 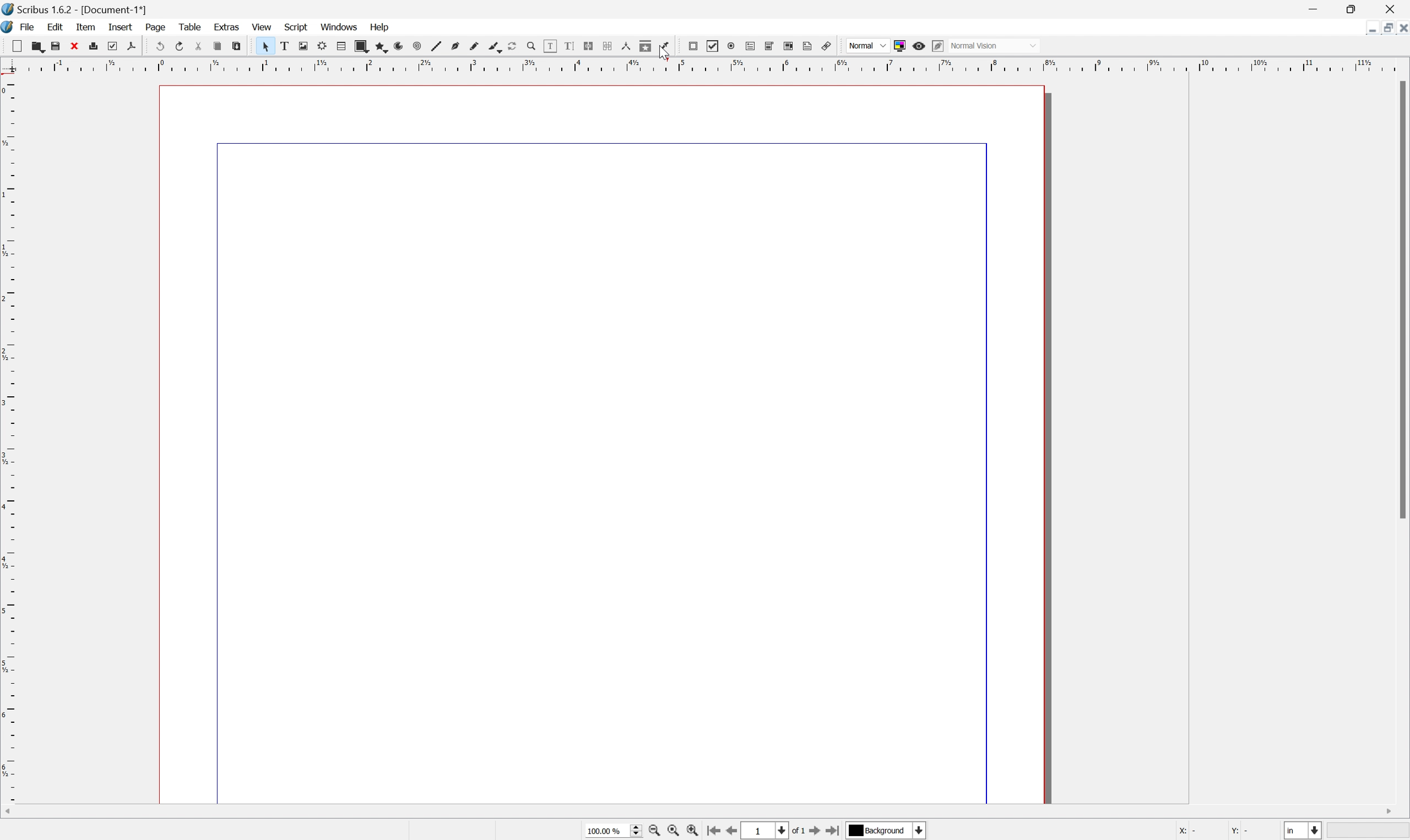 I want to click on arc, so click(x=395, y=45).